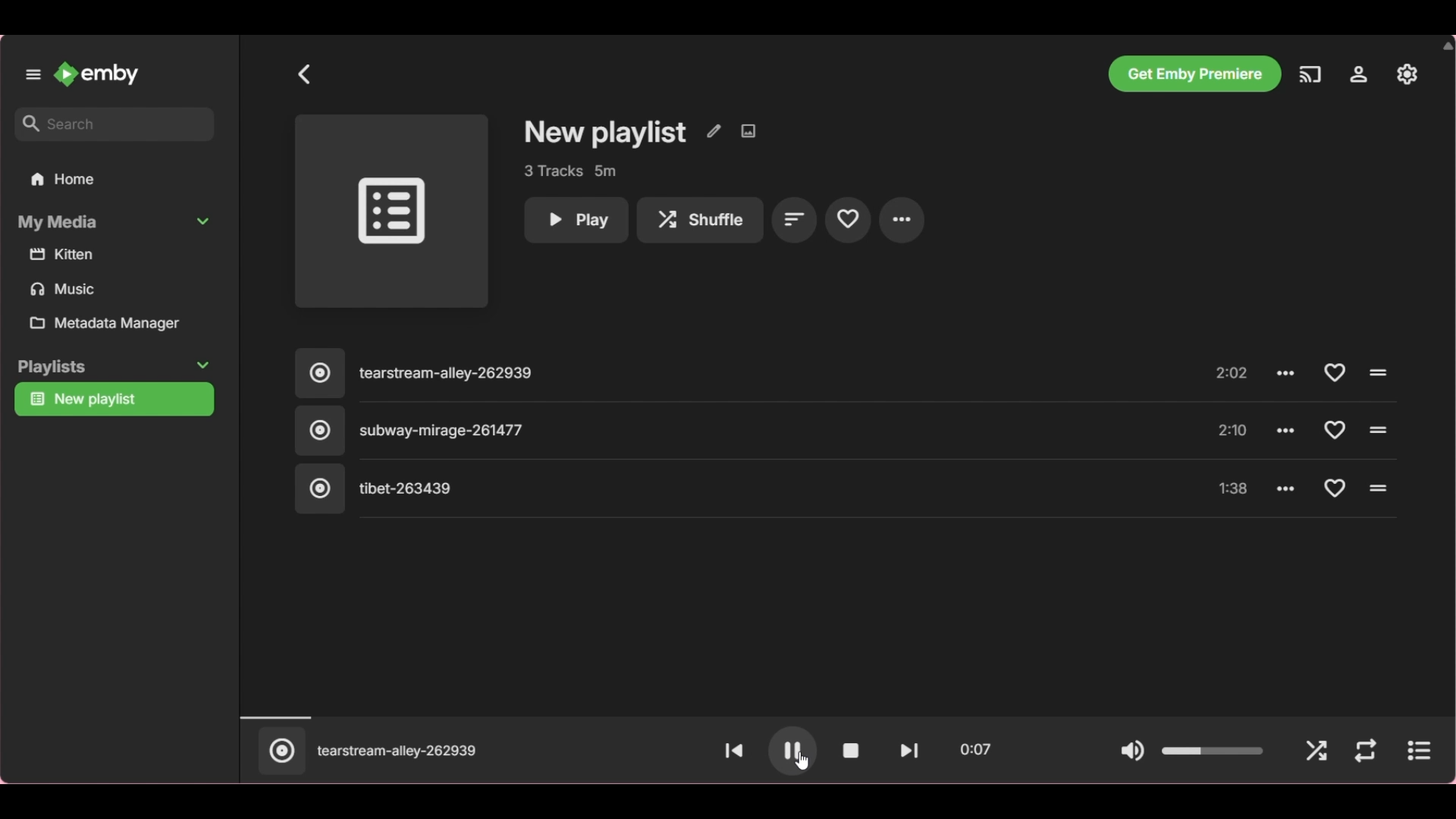 The image size is (1456, 819). I want to click on Go to home, so click(96, 74).